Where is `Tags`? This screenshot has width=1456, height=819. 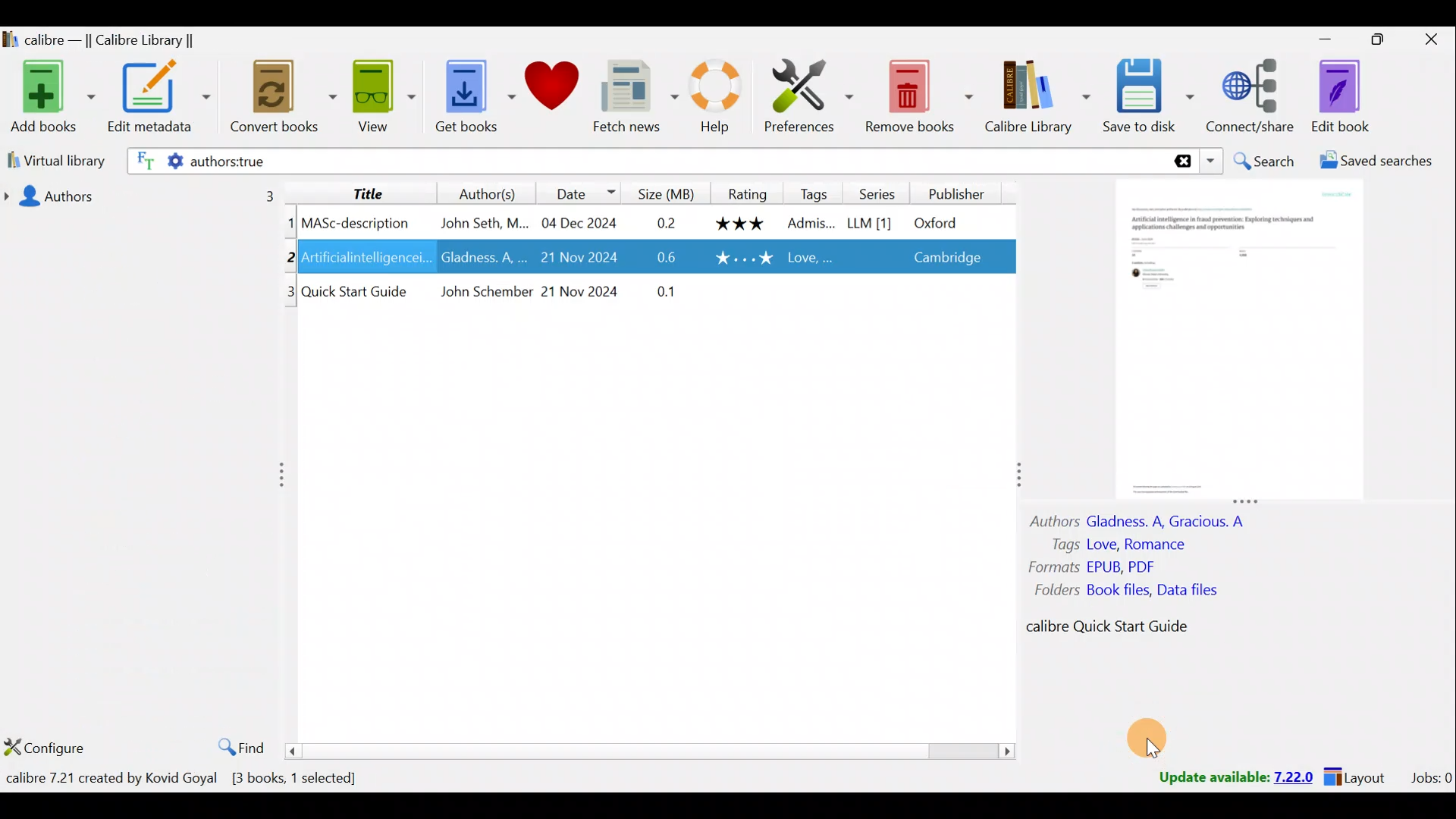
Tags is located at coordinates (814, 192).